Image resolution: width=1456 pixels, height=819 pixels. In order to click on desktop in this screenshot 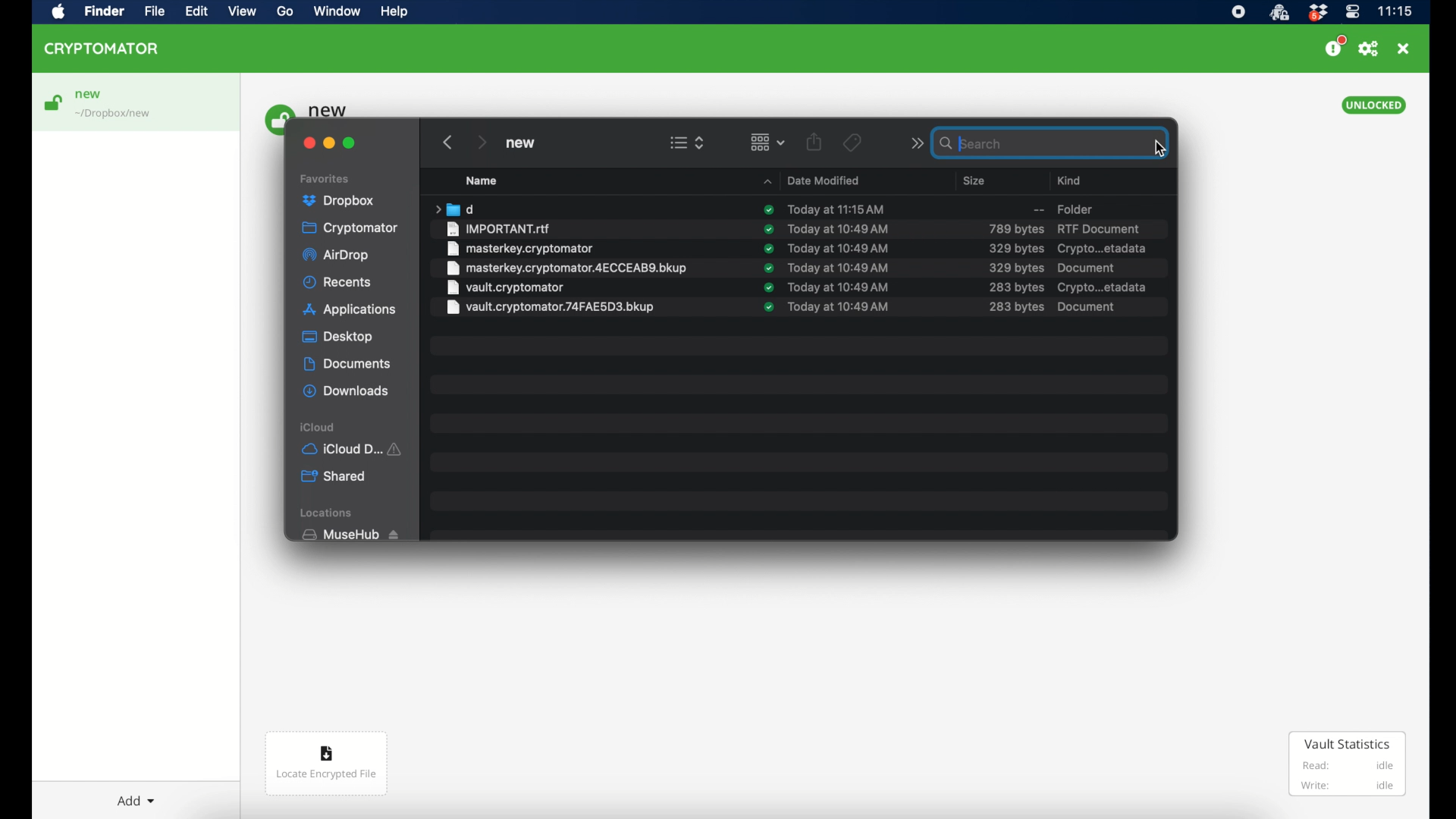, I will do `click(337, 337)`.